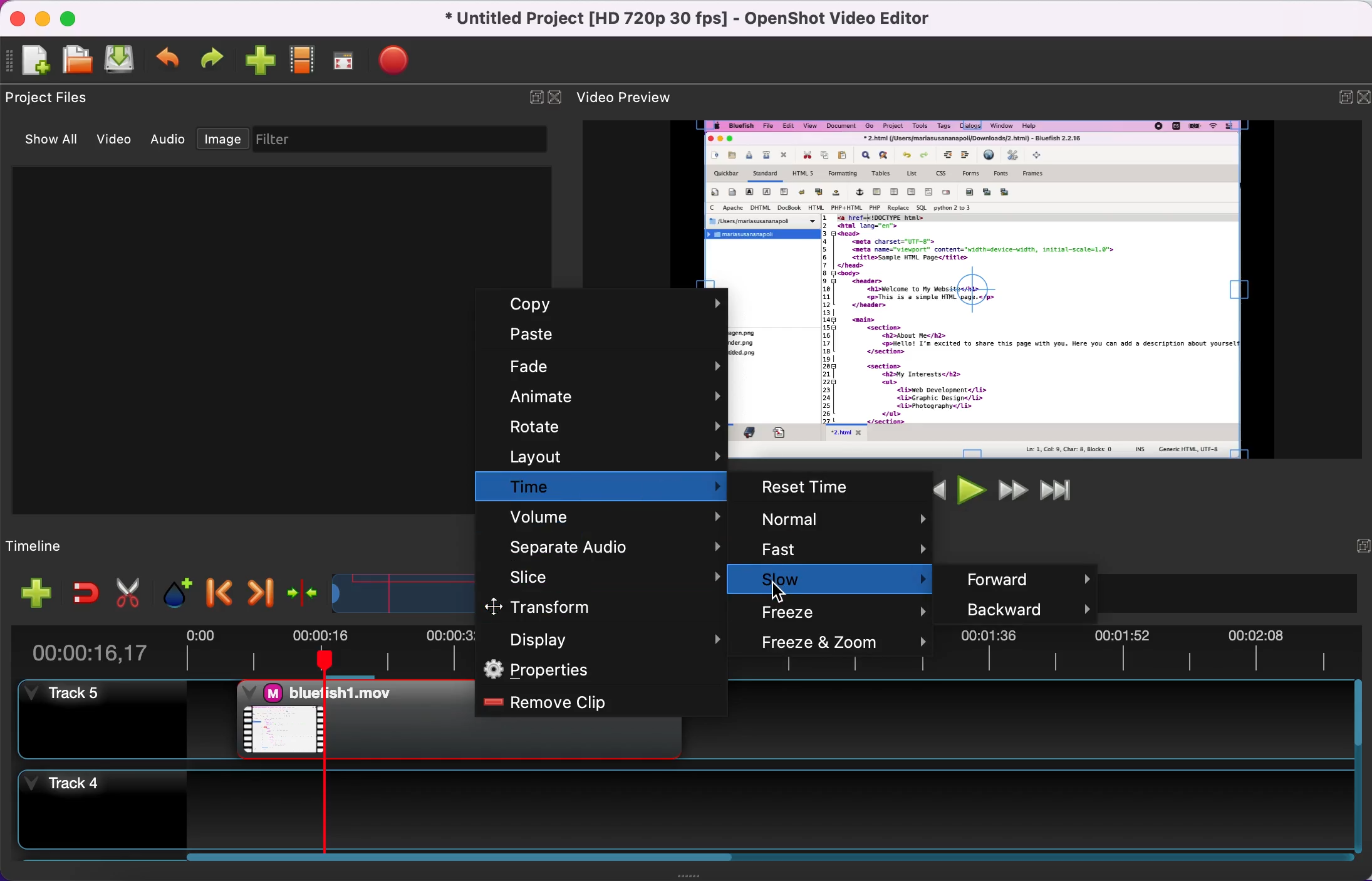  What do you see at coordinates (46, 20) in the screenshot?
I see `minimize` at bounding box center [46, 20].